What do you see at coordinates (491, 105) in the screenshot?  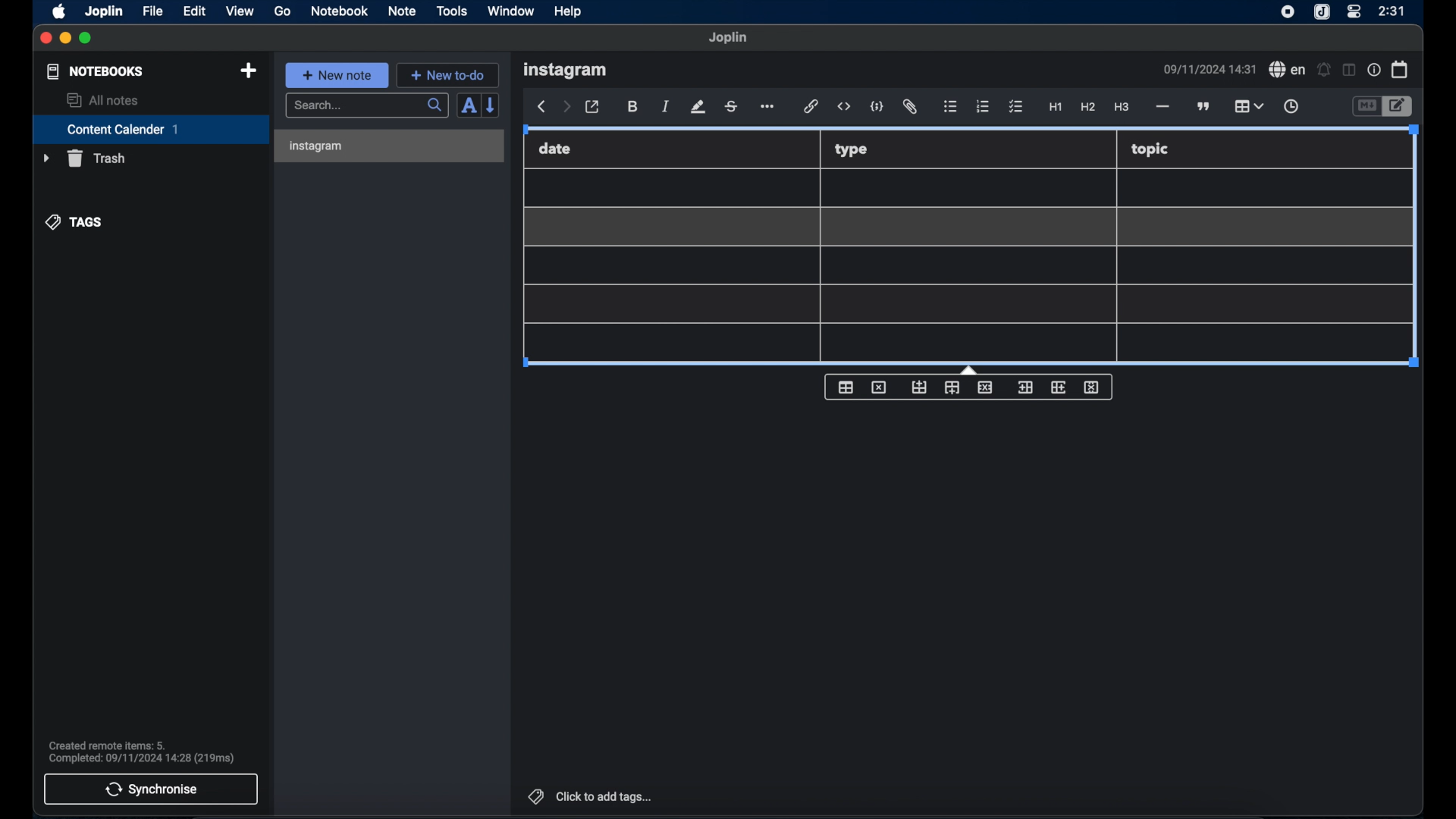 I see `reverse sort order` at bounding box center [491, 105].